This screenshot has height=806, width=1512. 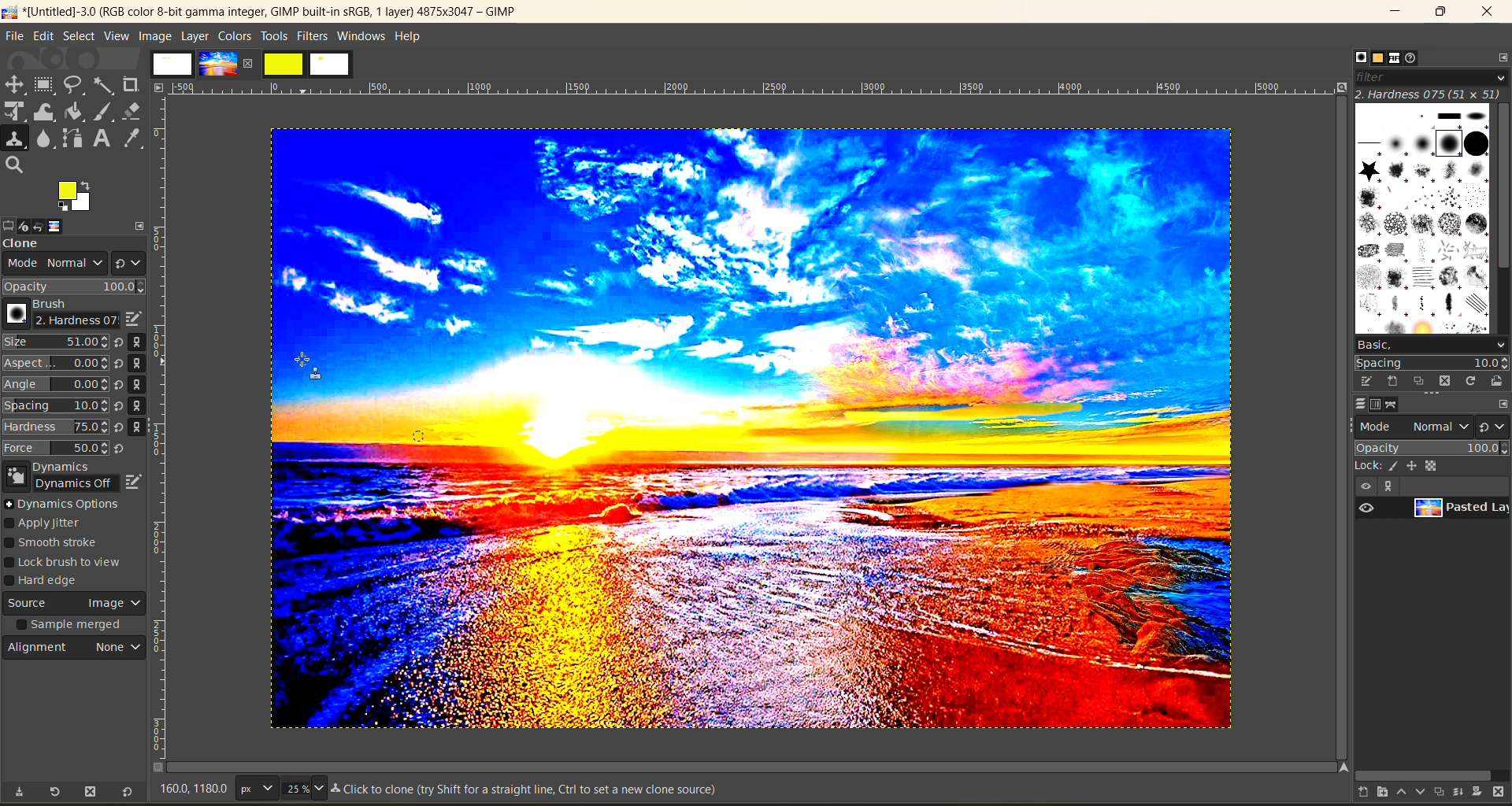 I want to click on move tool, so click(x=15, y=84).